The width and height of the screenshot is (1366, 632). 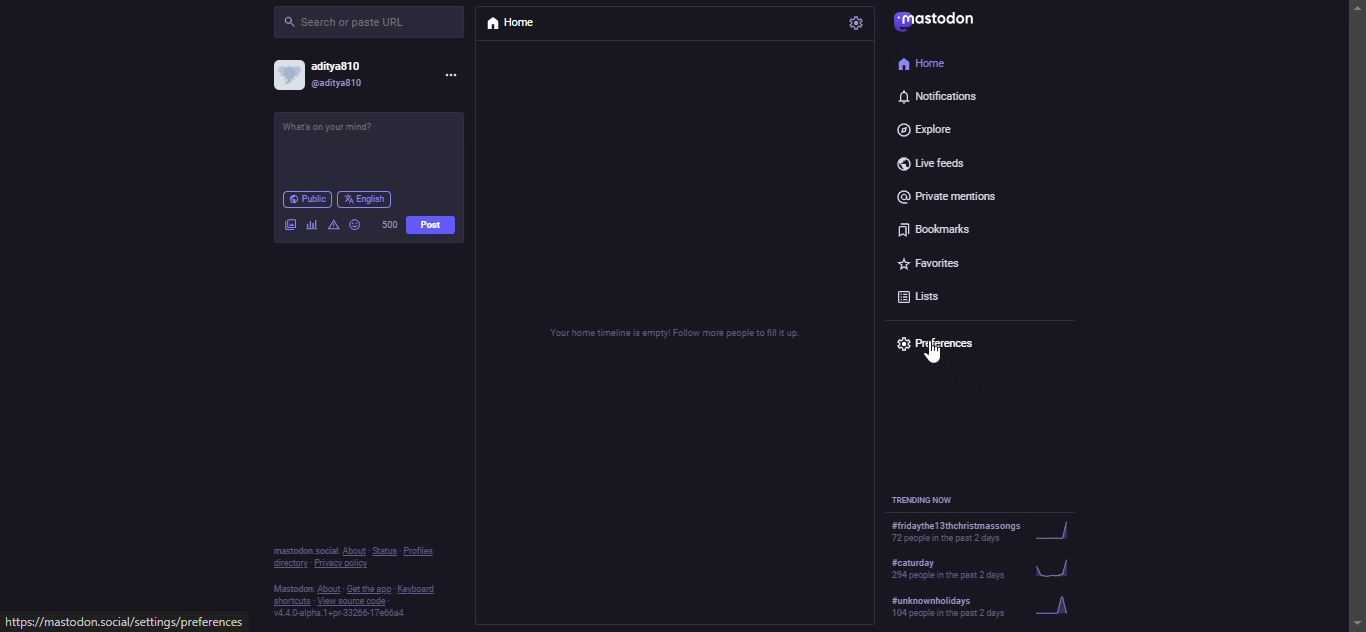 What do you see at coordinates (447, 75) in the screenshot?
I see `more` at bounding box center [447, 75].